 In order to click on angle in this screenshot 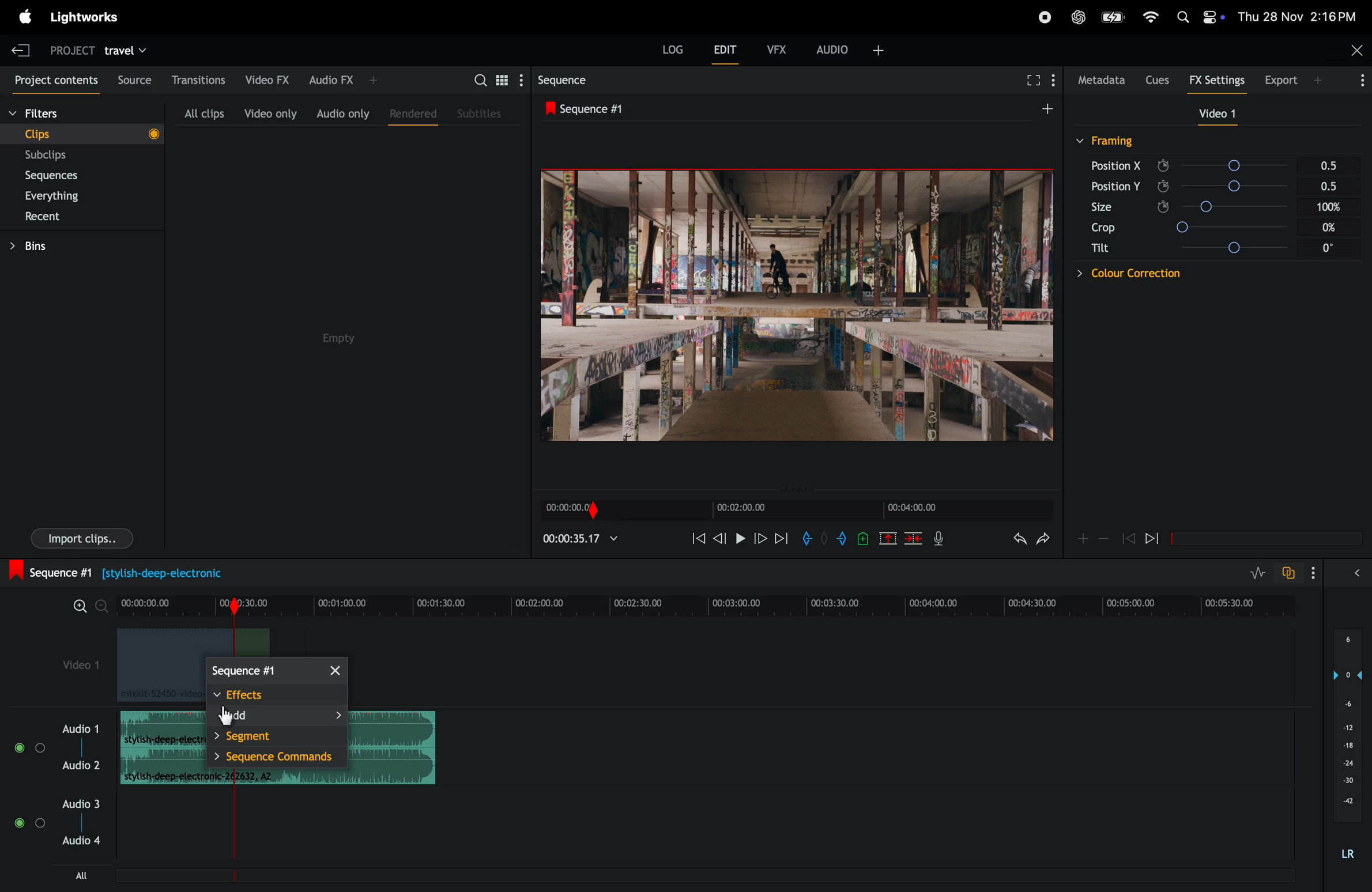, I will do `click(1253, 188)`.